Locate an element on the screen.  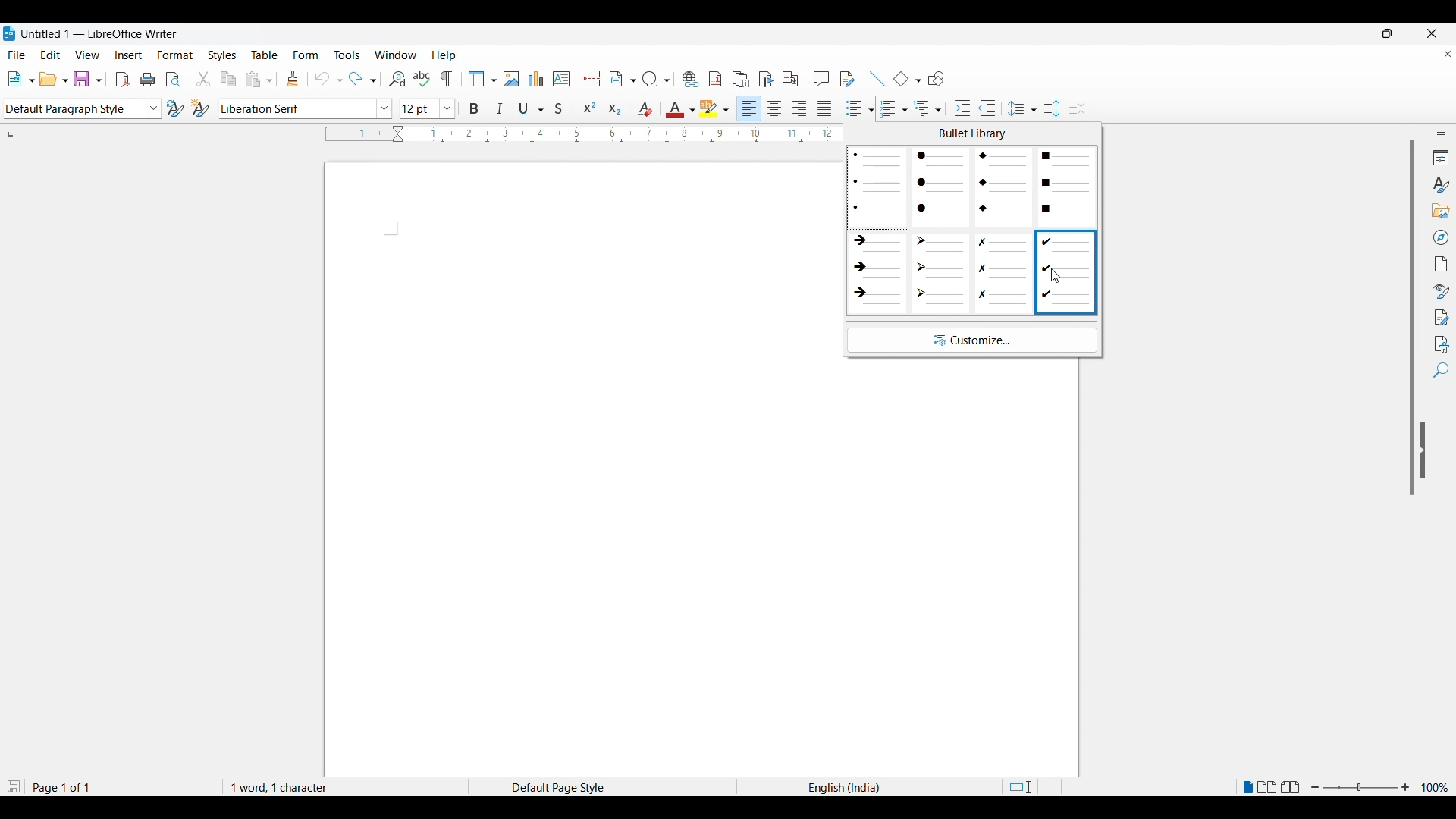
Selected toggle ordered list is located at coordinates (892, 108).